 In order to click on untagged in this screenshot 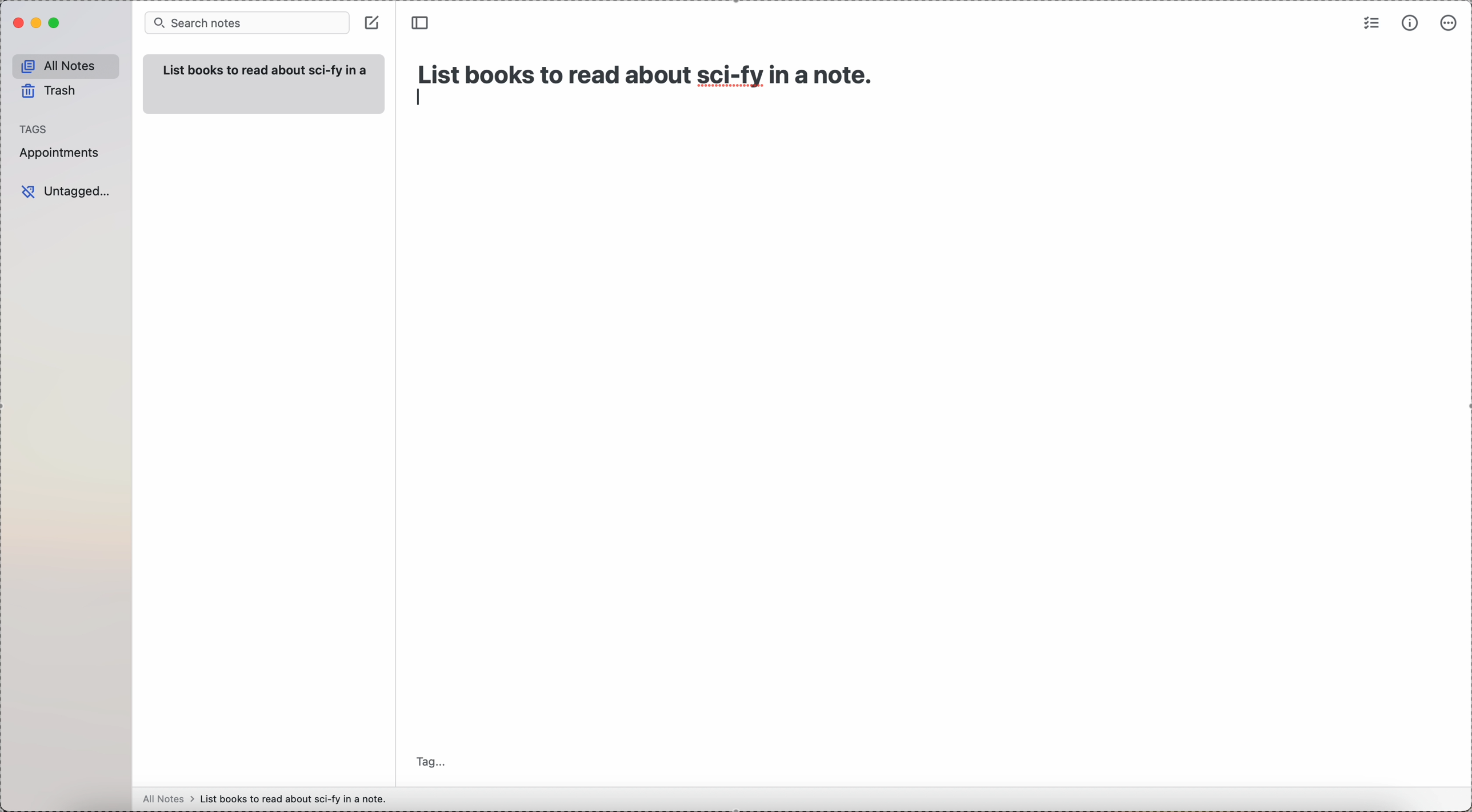, I will do `click(66, 191)`.